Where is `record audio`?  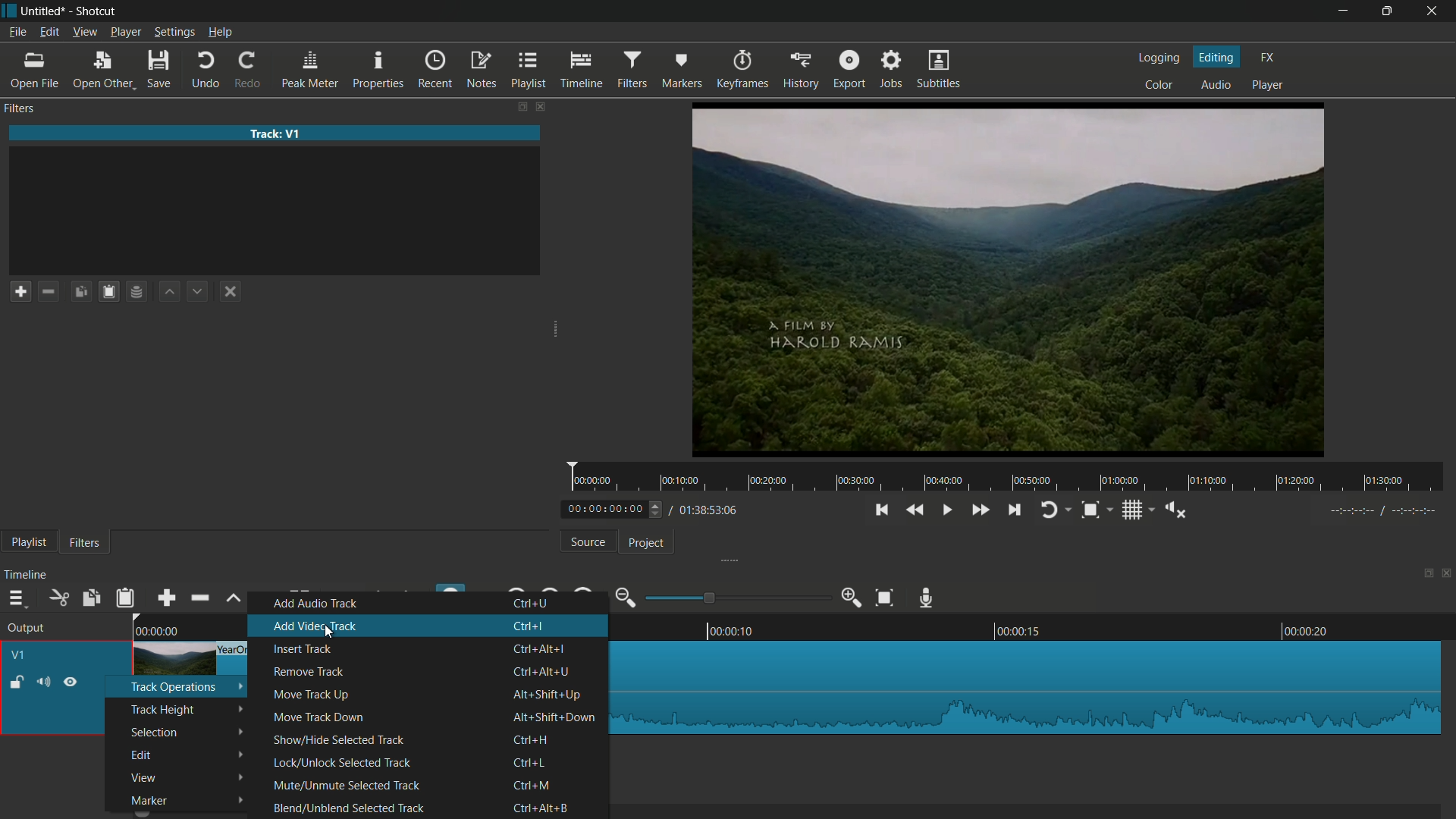
record audio is located at coordinates (927, 596).